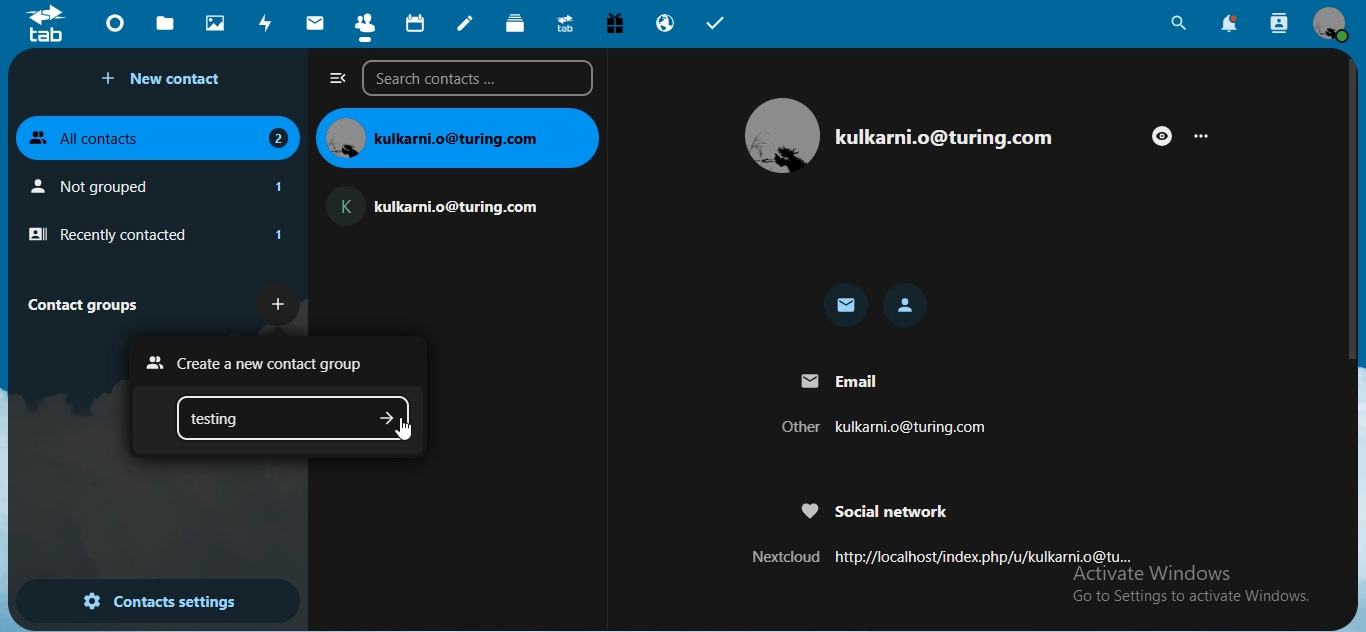 The width and height of the screenshot is (1366, 632). I want to click on add, so click(280, 302).